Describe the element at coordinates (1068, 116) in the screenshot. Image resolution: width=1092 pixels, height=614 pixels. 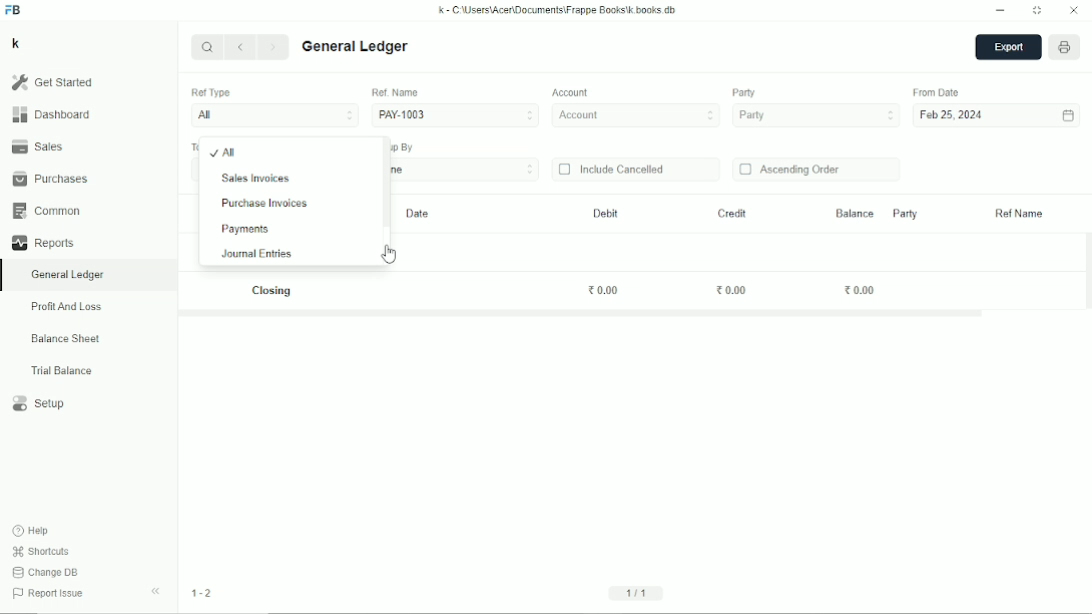
I see `Calendar` at that location.